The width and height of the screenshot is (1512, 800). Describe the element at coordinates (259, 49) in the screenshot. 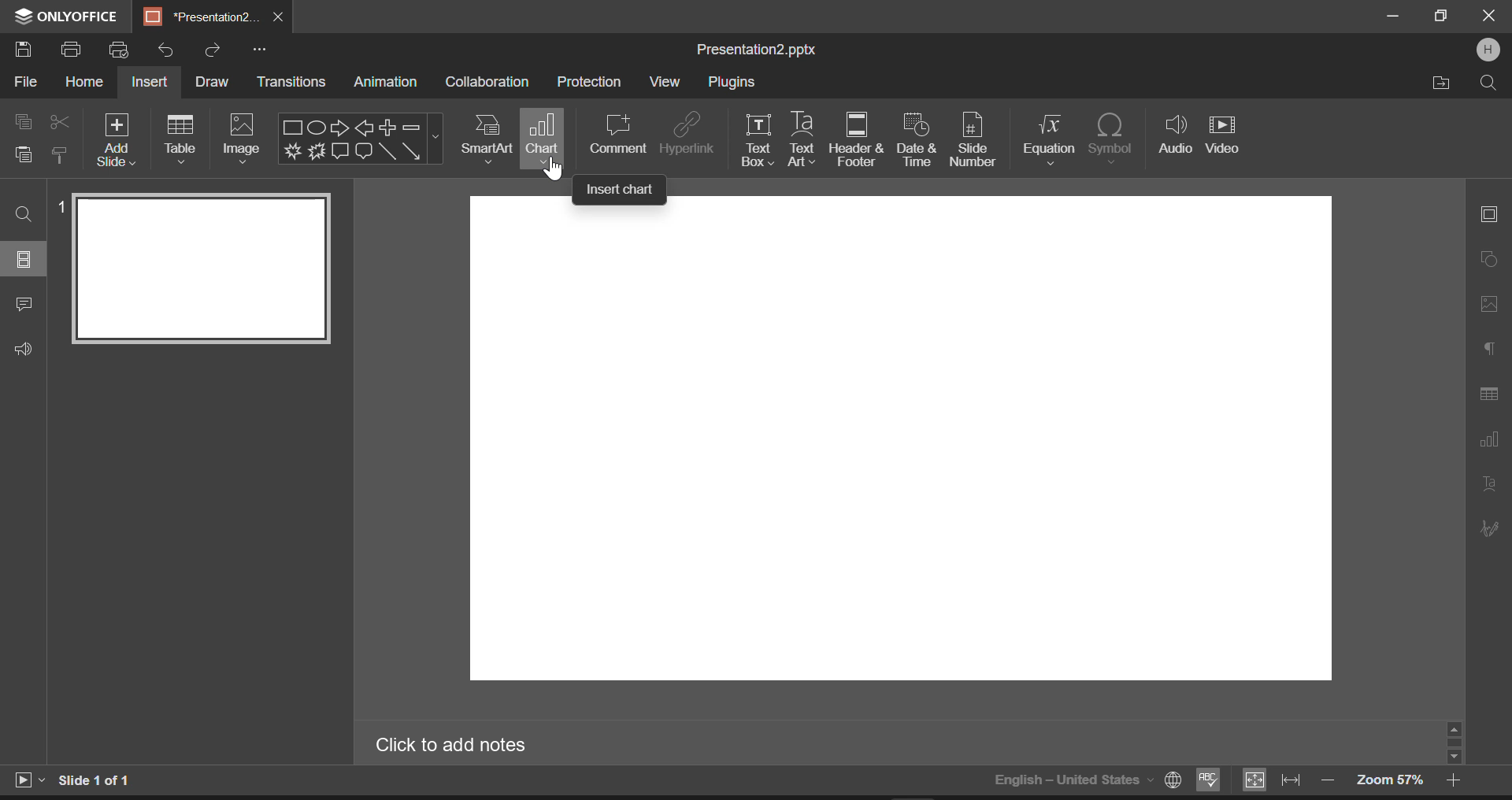

I see `More Options` at that location.